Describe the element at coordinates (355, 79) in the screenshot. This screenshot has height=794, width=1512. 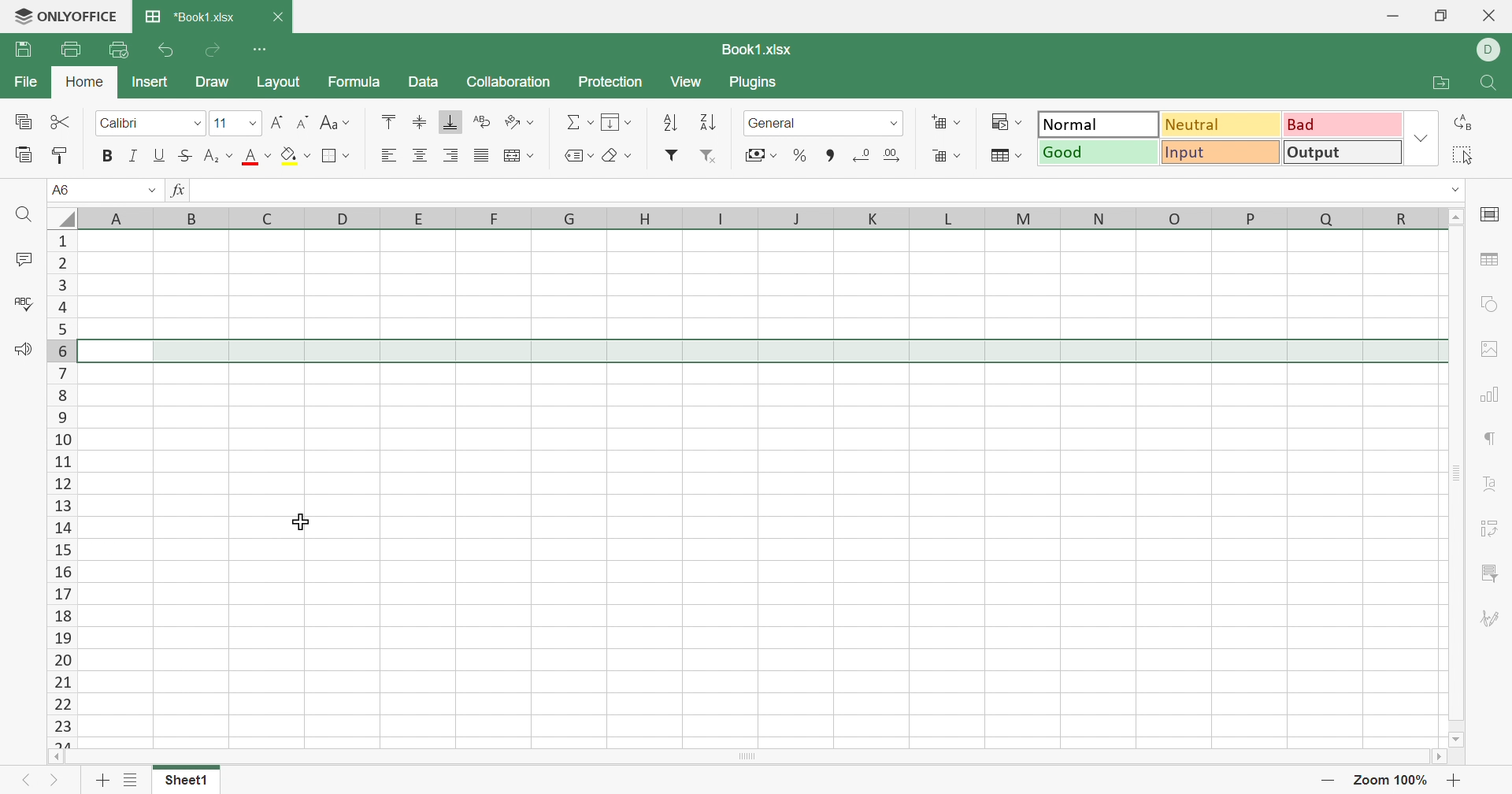
I see `Formula` at that location.